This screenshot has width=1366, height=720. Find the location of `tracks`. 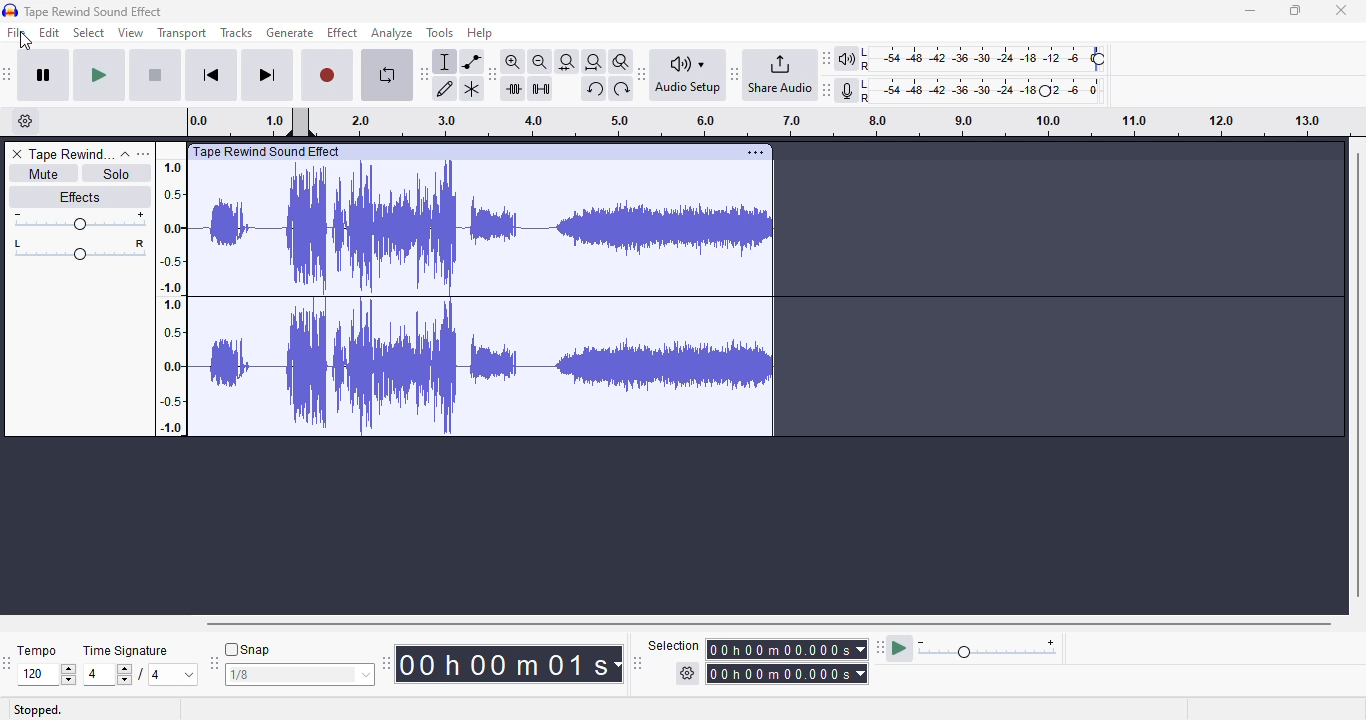

tracks is located at coordinates (236, 33).